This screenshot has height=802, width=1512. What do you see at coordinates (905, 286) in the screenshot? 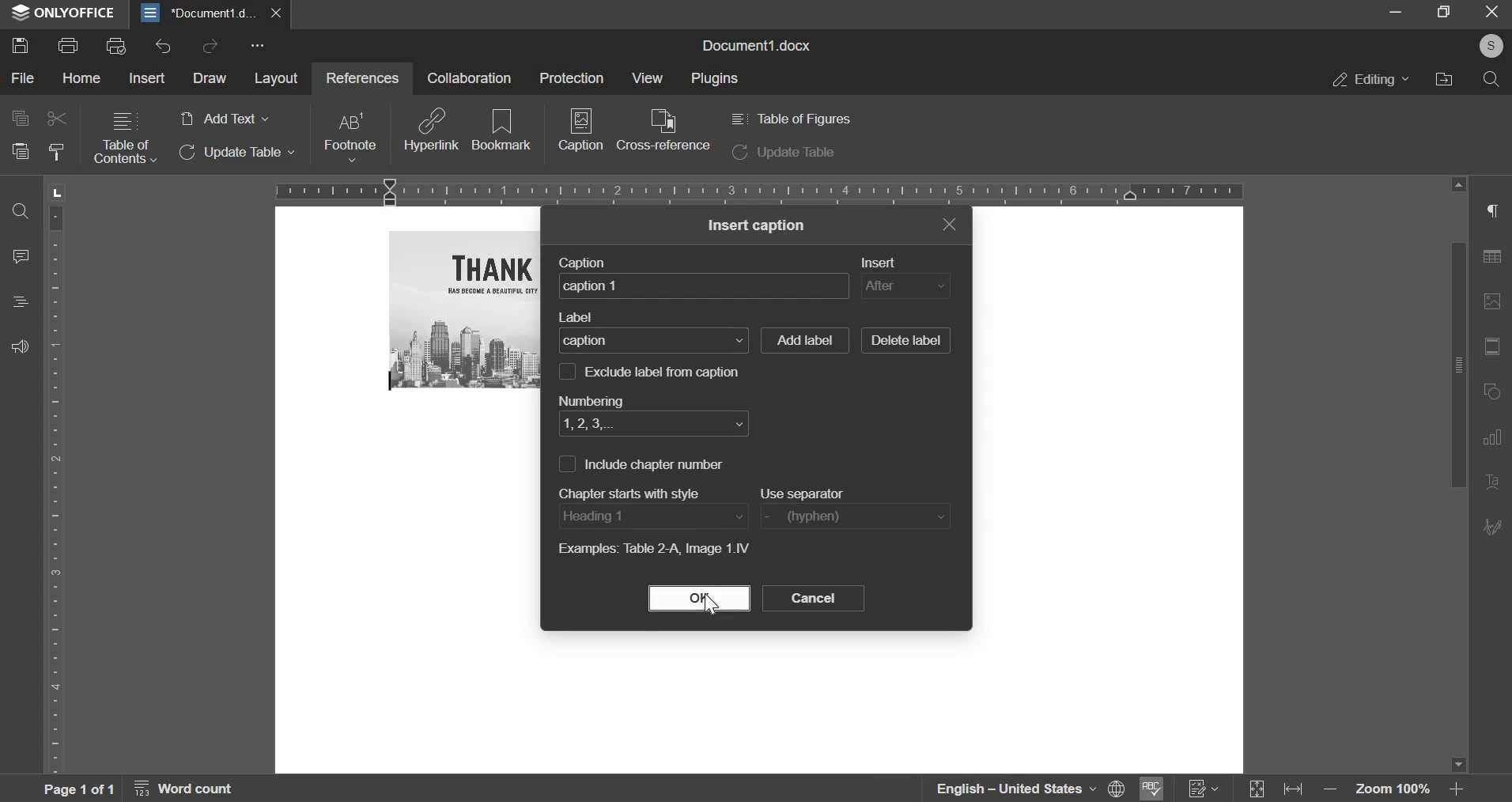
I see `insert` at bounding box center [905, 286].